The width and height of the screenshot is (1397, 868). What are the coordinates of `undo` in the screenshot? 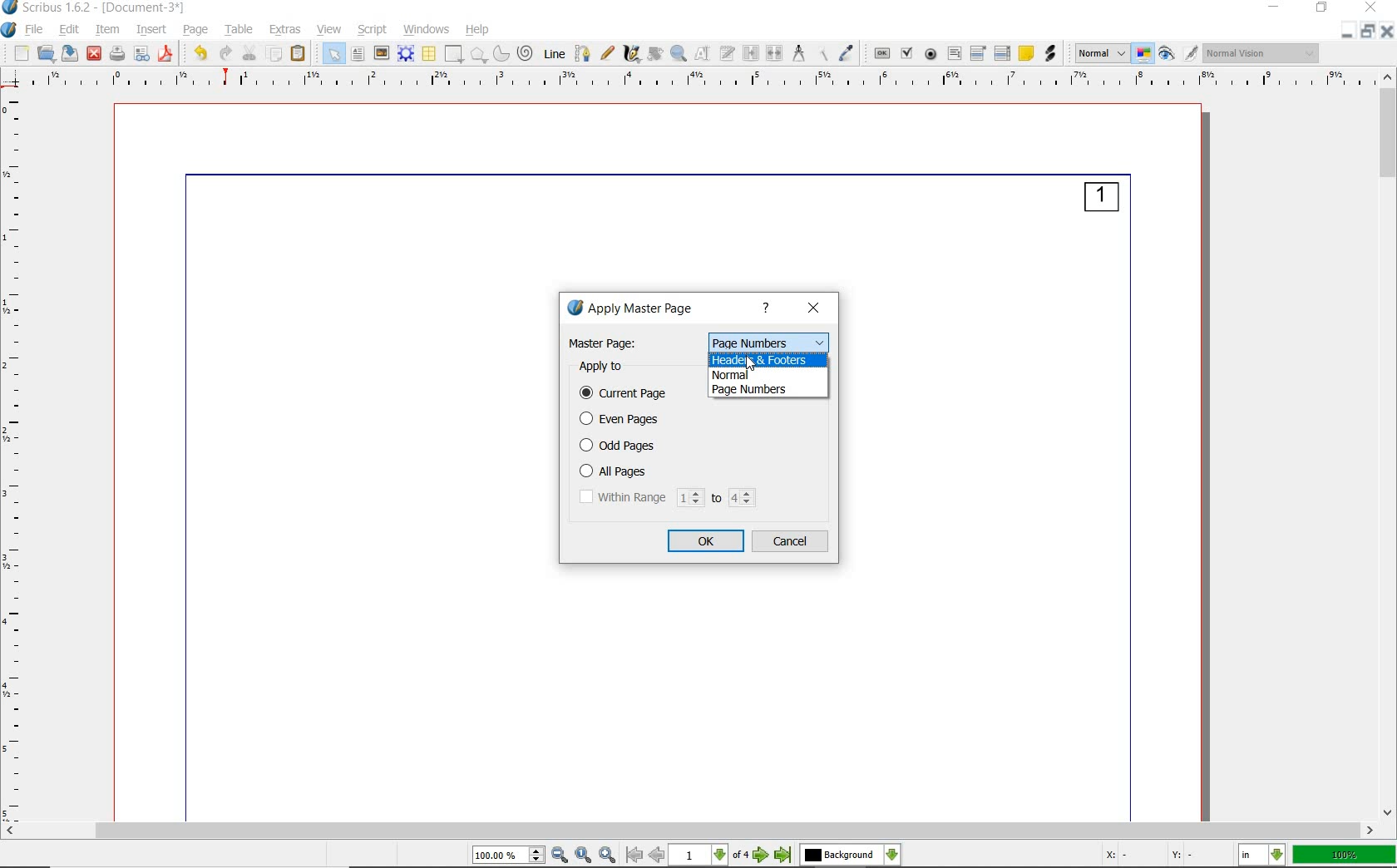 It's located at (200, 54).